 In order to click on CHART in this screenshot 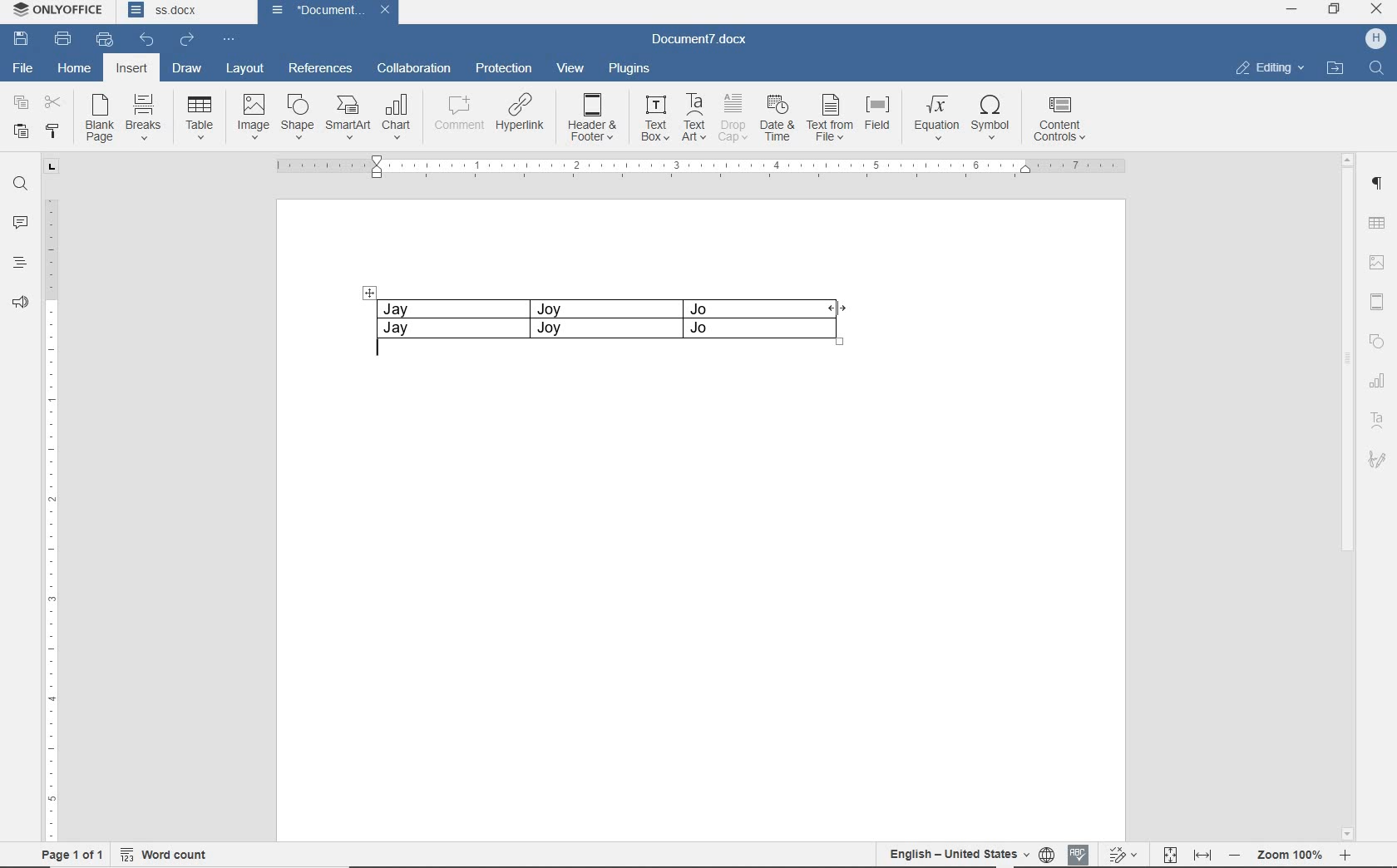, I will do `click(397, 118)`.